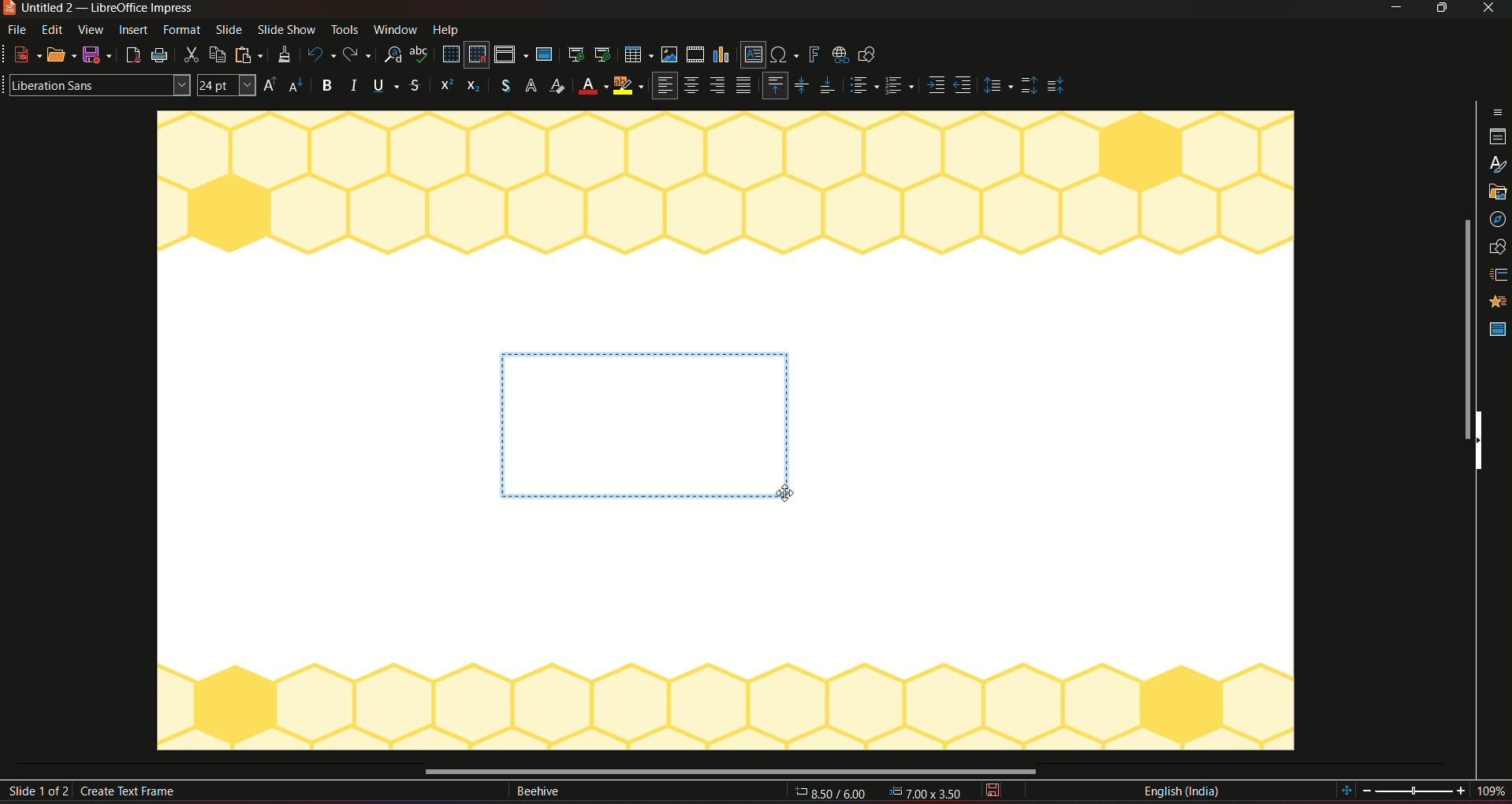 This screenshot has height=804, width=1512. I want to click on language, so click(1181, 791).